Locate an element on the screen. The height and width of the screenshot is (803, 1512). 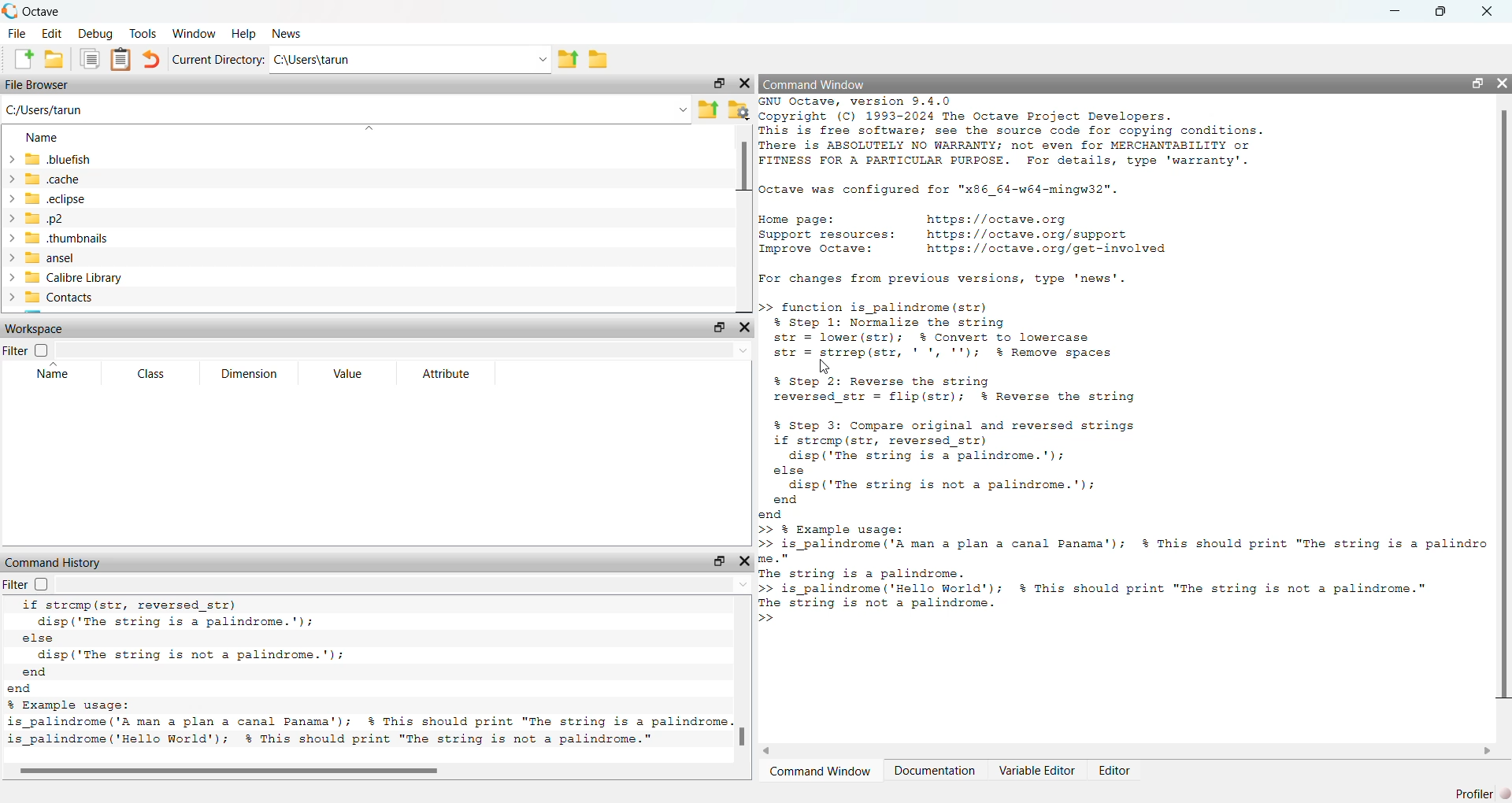
unlock widget is located at coordinates (721, 83).